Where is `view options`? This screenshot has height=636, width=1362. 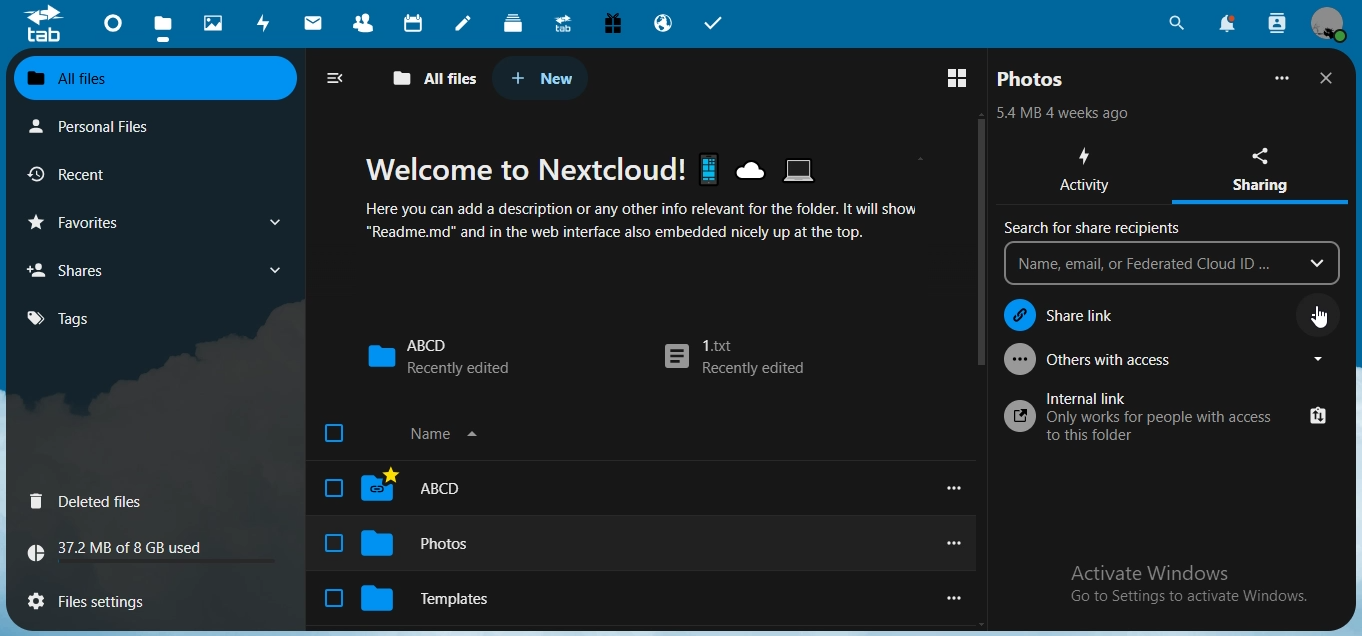 view options is located at coordinates (958, 491).